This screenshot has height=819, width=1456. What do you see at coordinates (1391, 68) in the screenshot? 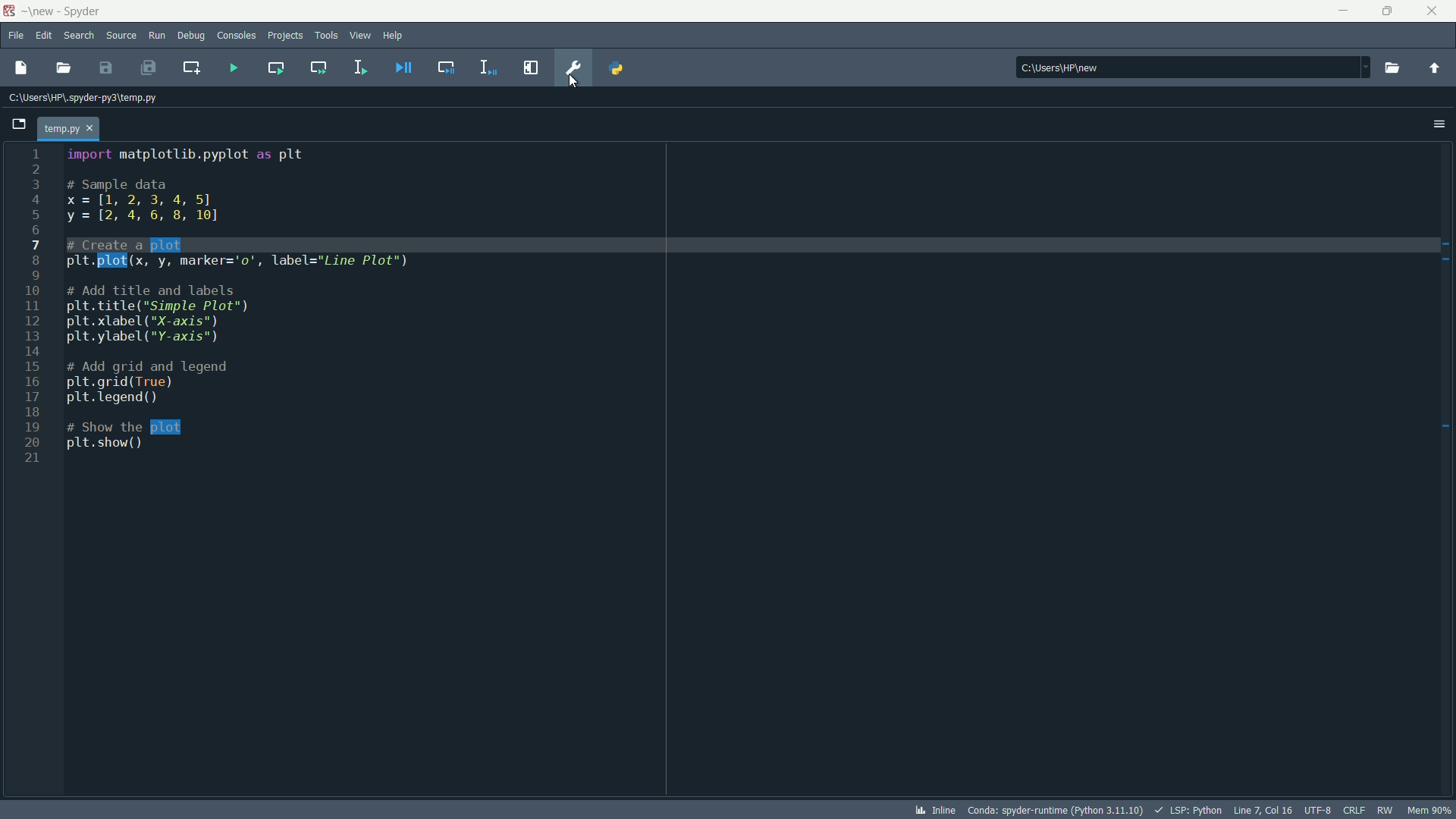
I see `browse directory` at bounding box center [1391, 68].